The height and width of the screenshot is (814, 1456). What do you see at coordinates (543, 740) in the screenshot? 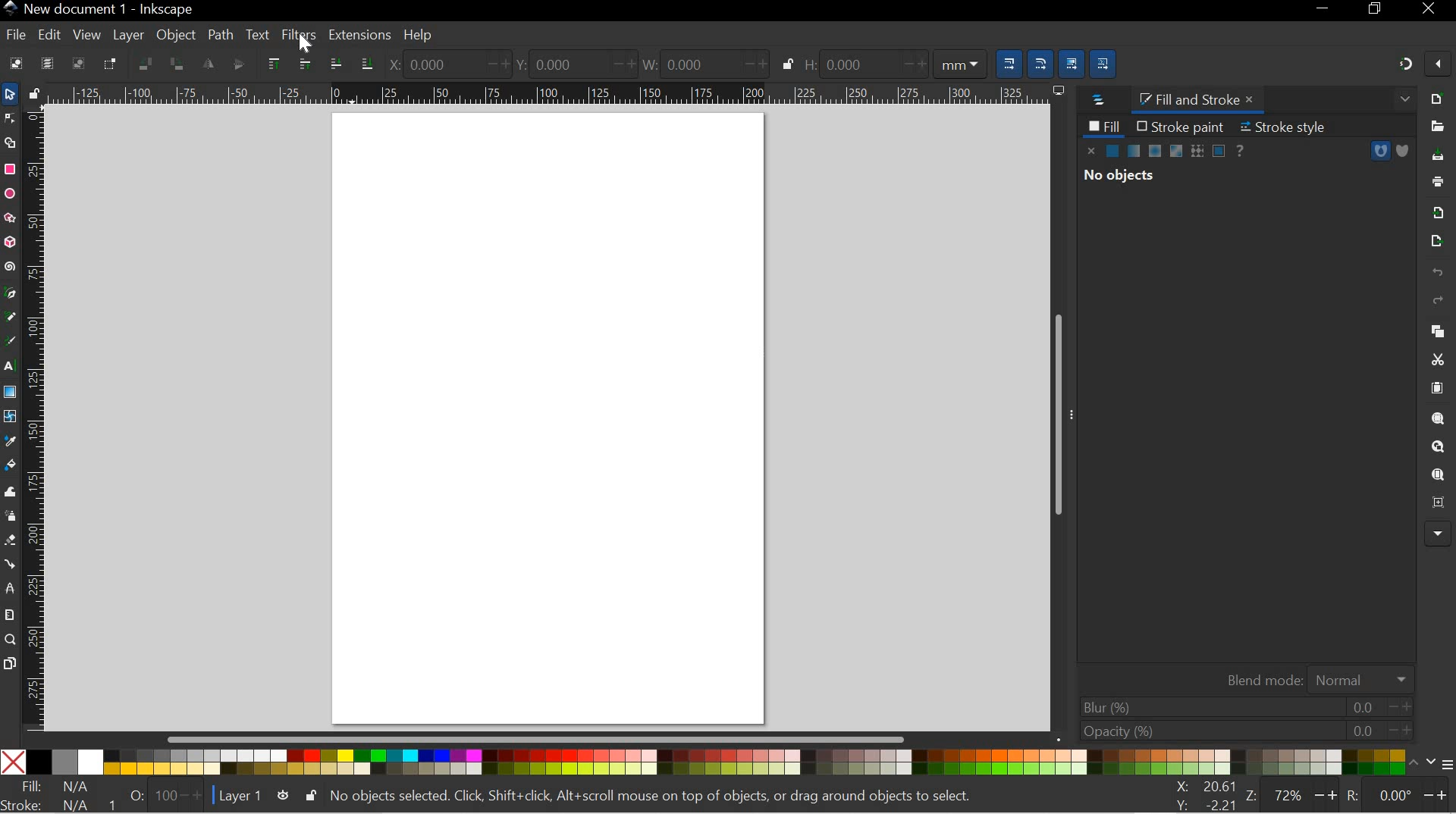
I see `SCROLLBAR` at bounding box center [543, 740].